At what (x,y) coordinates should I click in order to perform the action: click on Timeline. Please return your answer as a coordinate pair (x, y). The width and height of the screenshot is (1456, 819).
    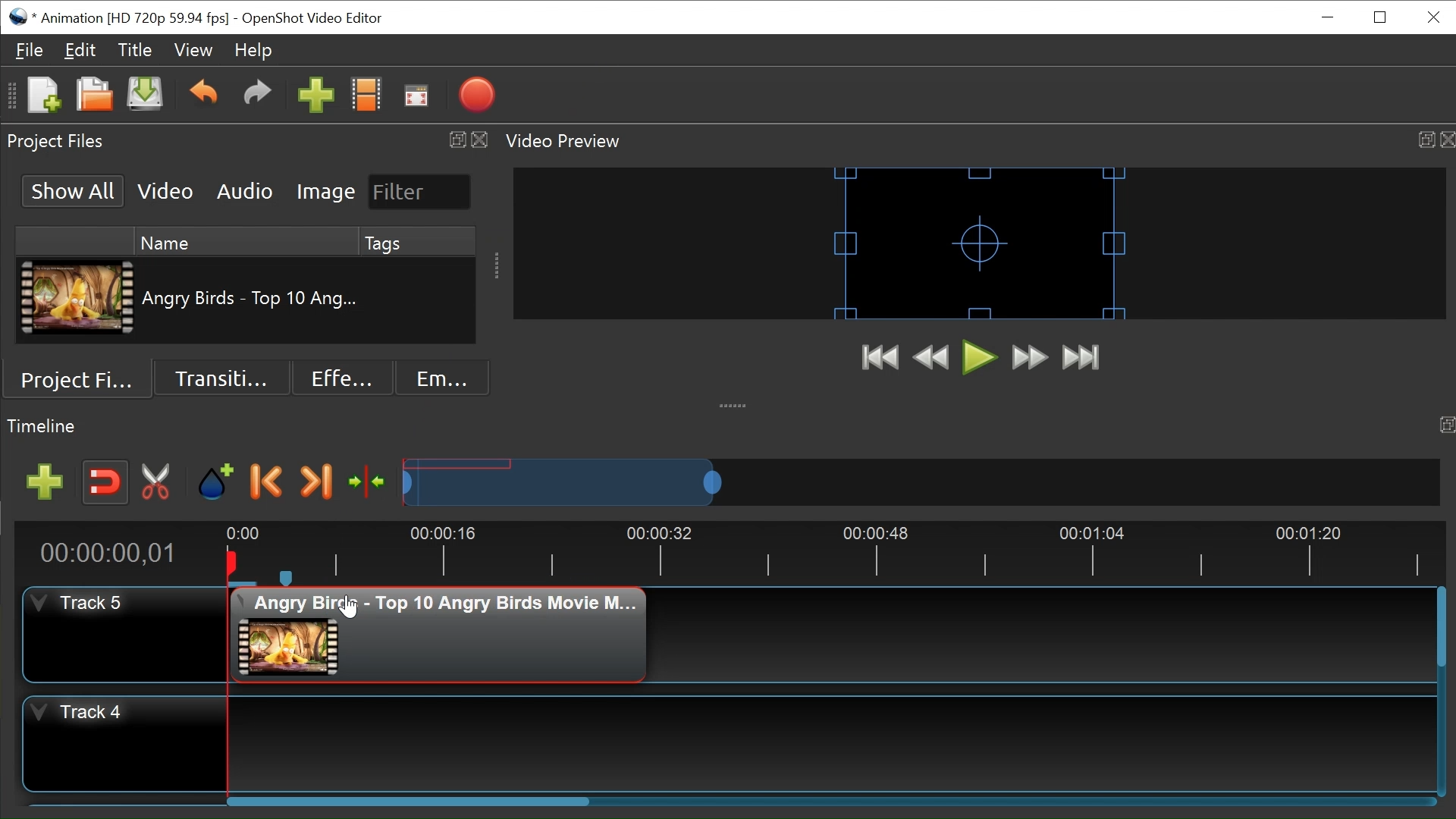
    Looking at the image, I should click on (833, 553).